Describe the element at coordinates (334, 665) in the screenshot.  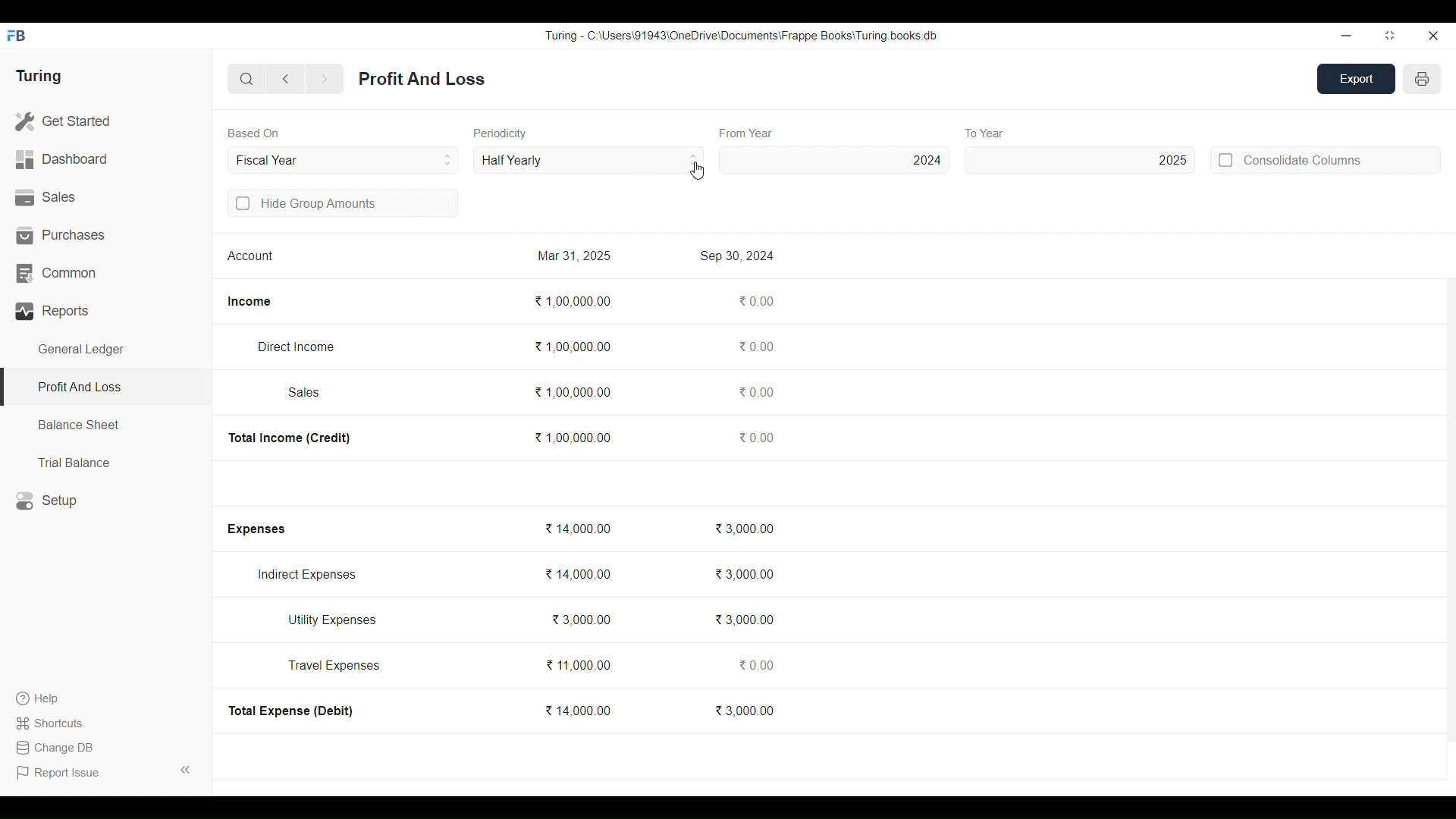
I see `Travel Expenses` at that location.